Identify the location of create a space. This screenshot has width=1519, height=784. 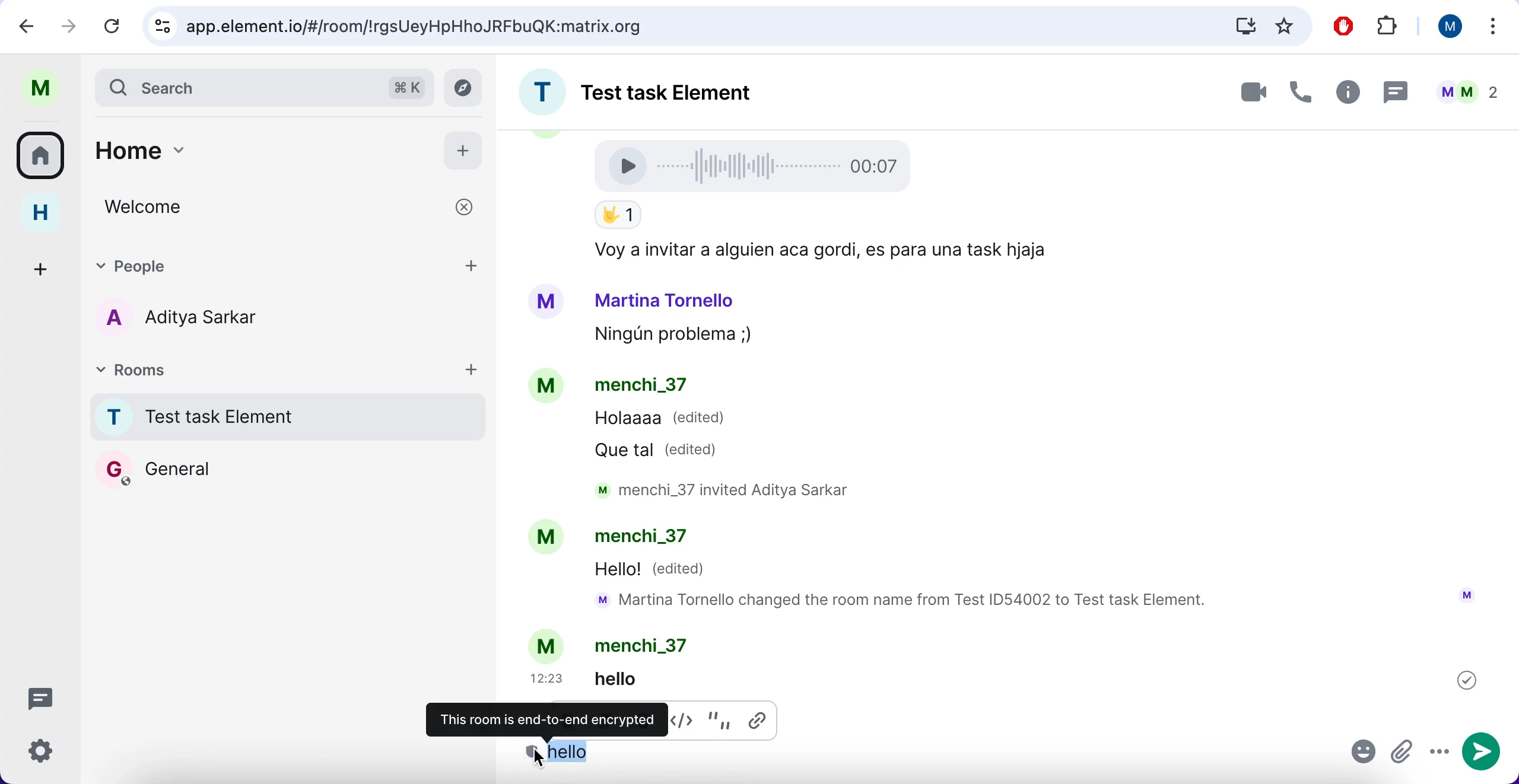
(45, 267).